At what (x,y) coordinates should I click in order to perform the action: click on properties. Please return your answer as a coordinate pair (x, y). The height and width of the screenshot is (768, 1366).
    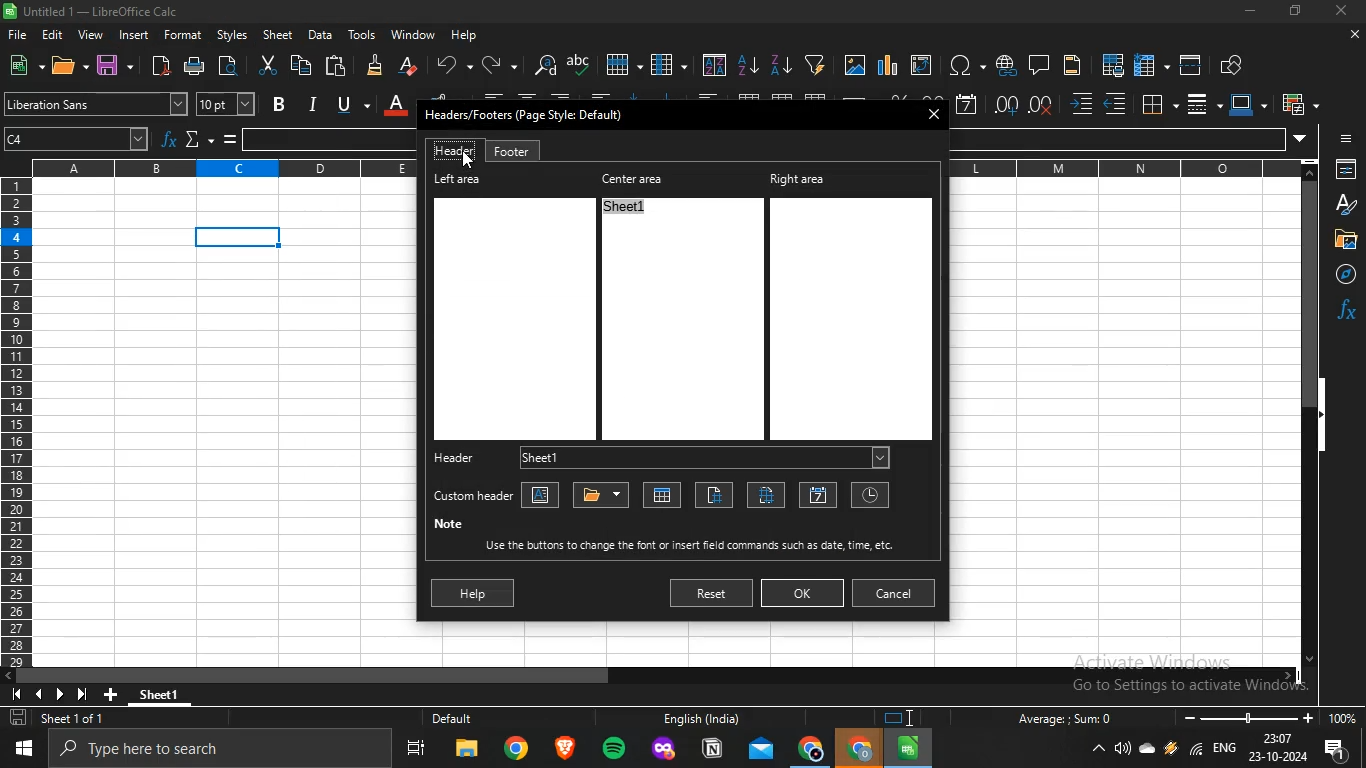
    Looking at the image, I should click on (1343, 170).